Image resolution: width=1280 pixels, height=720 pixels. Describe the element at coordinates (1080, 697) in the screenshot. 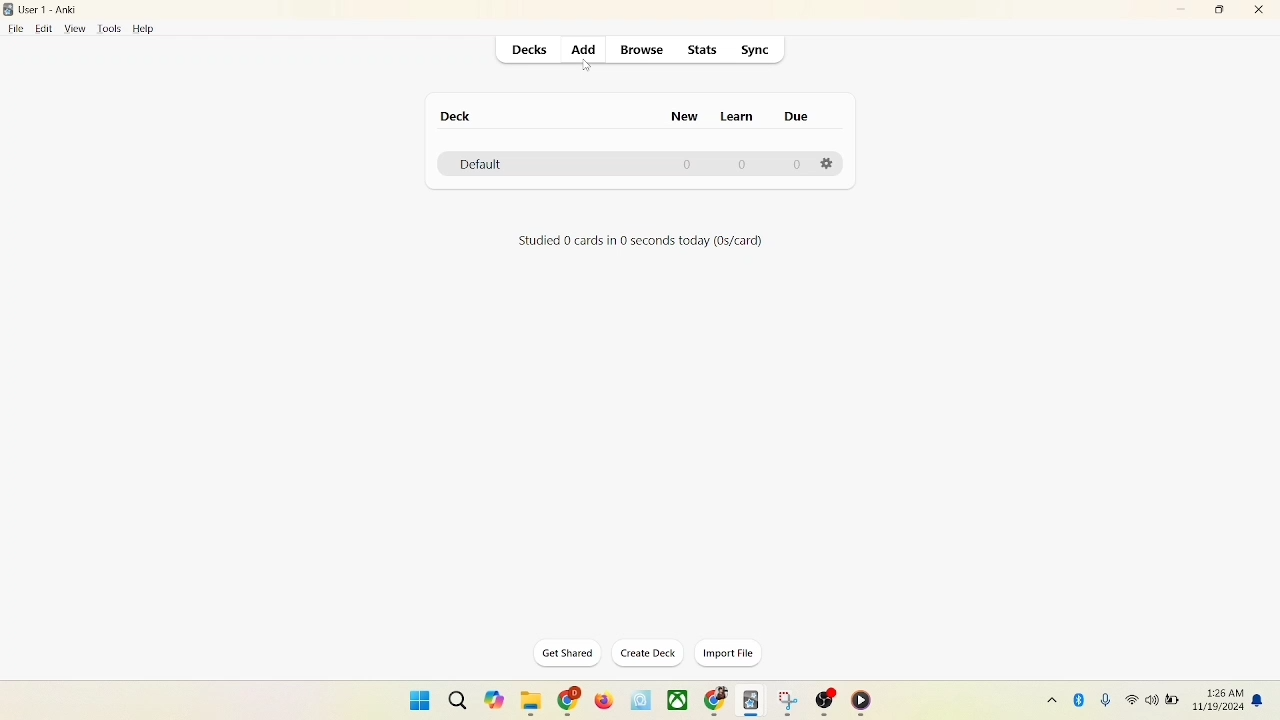

I see `Bluetooth` at that location.